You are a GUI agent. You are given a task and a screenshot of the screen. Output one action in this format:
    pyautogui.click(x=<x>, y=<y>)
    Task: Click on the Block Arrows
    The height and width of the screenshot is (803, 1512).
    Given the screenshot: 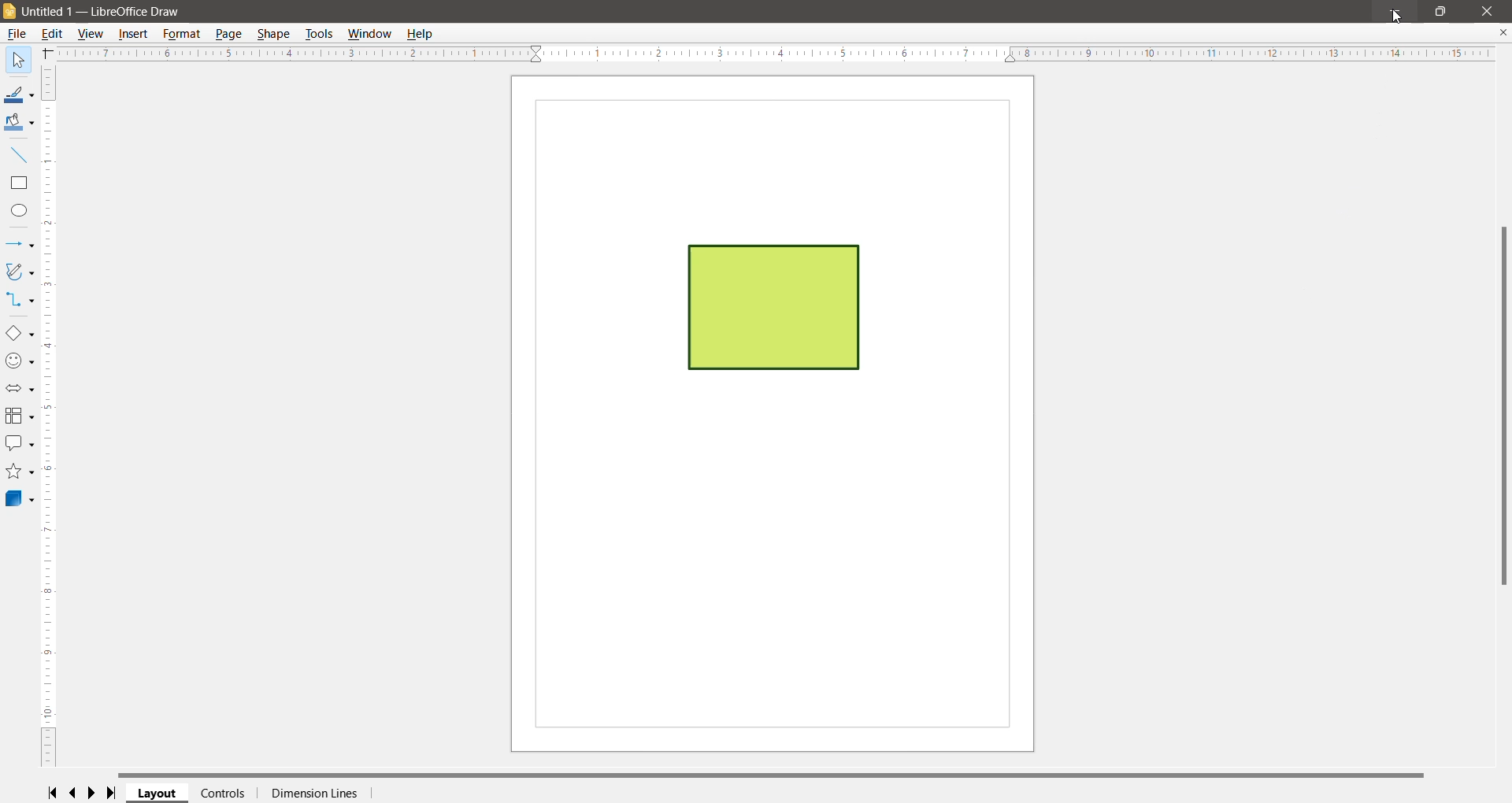 What is the action you would take?
    pyautogui.click(x=18, y=390)
    